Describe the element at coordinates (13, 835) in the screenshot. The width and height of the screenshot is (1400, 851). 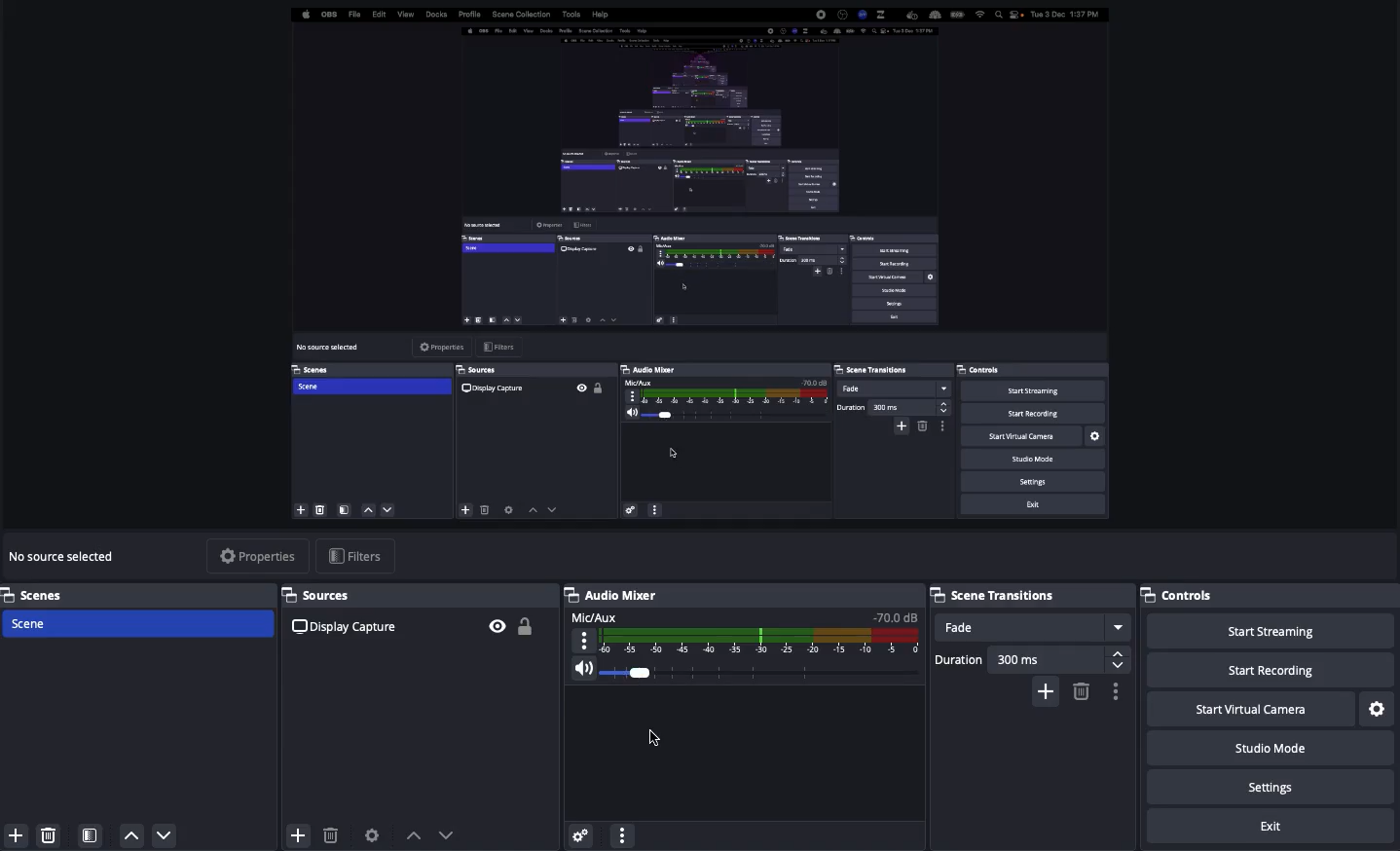
I see `Add` at that location.